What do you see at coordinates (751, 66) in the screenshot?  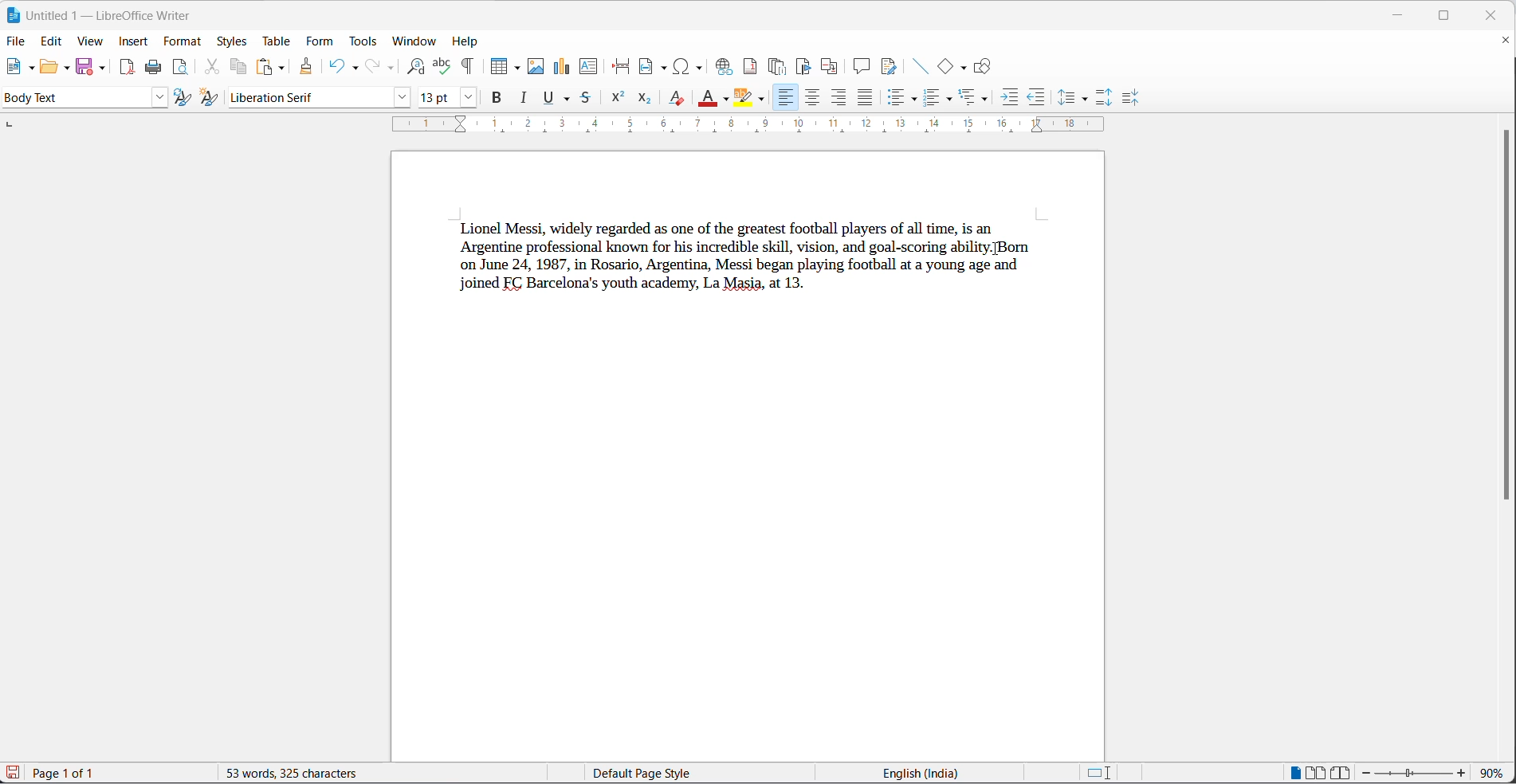 I see `insert footnote` at bounding box center [751, 66].